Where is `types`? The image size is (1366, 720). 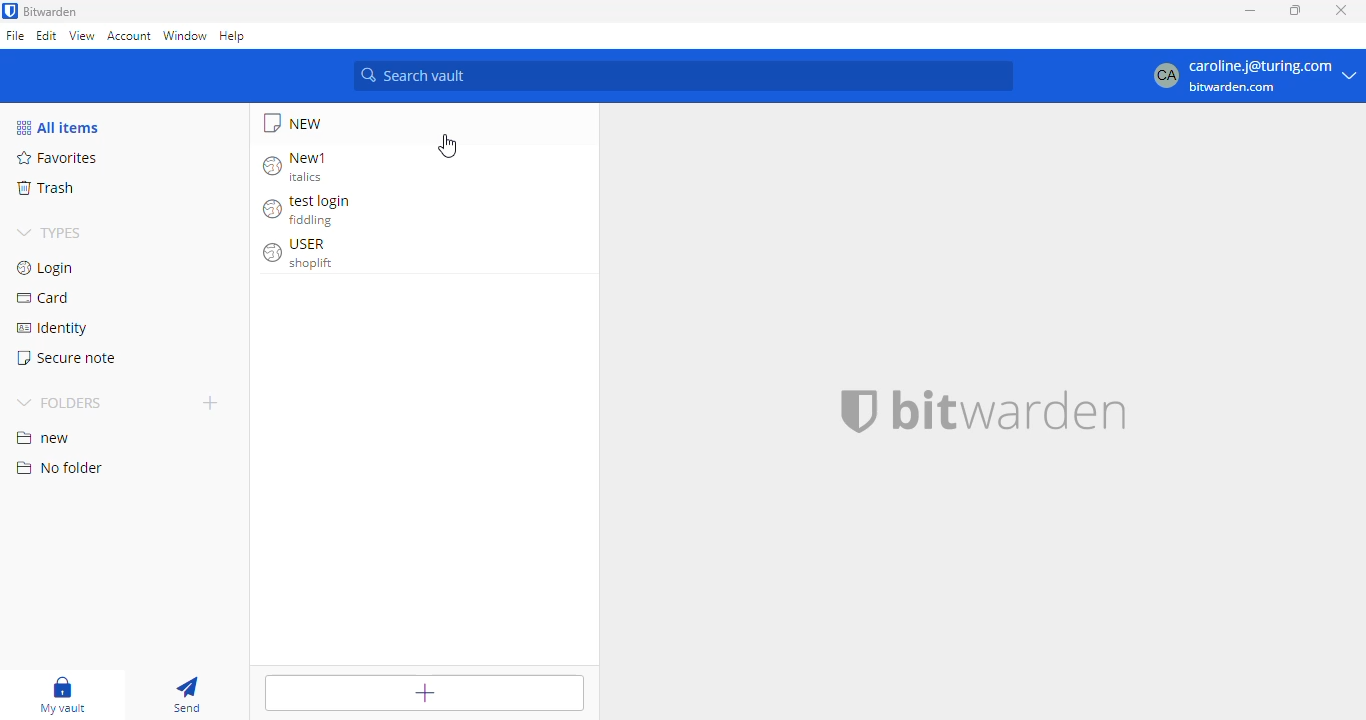
types is located at coordinates (50, 233).